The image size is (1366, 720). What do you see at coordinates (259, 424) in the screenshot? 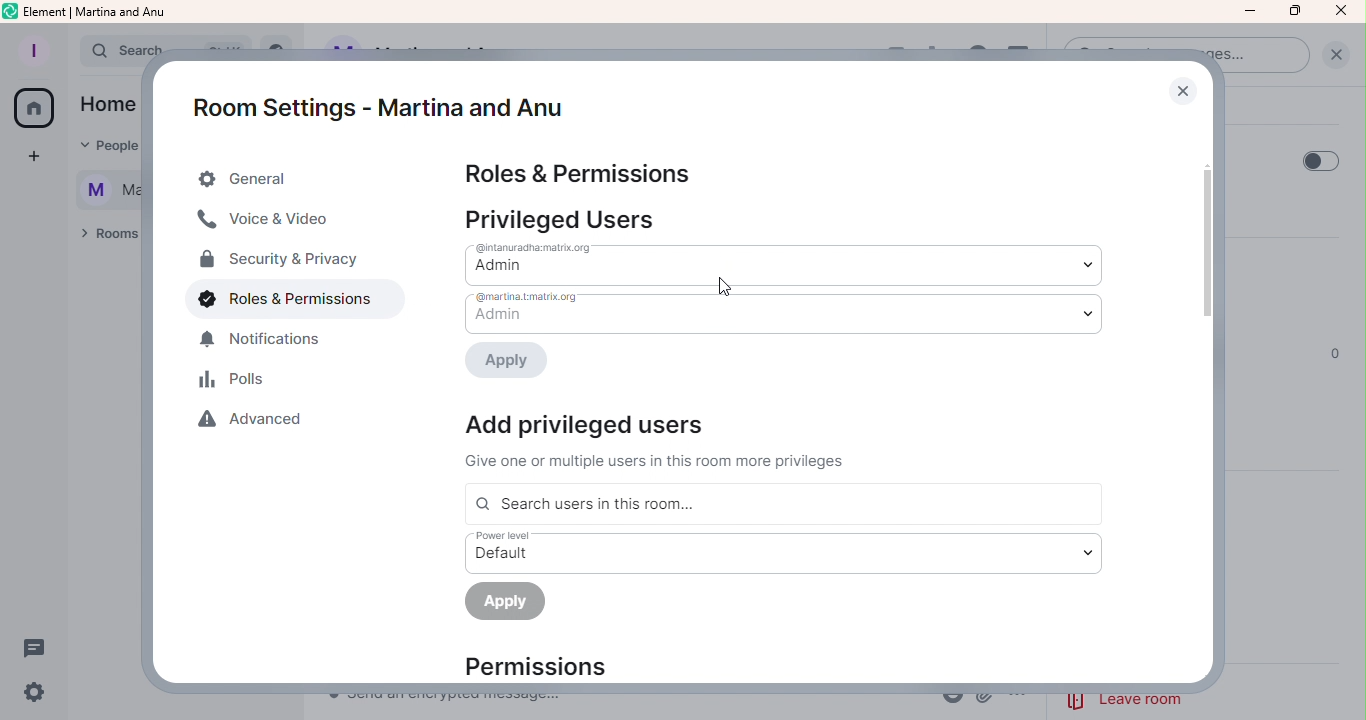
I see `Advanced` at bounding box center [259, 424].